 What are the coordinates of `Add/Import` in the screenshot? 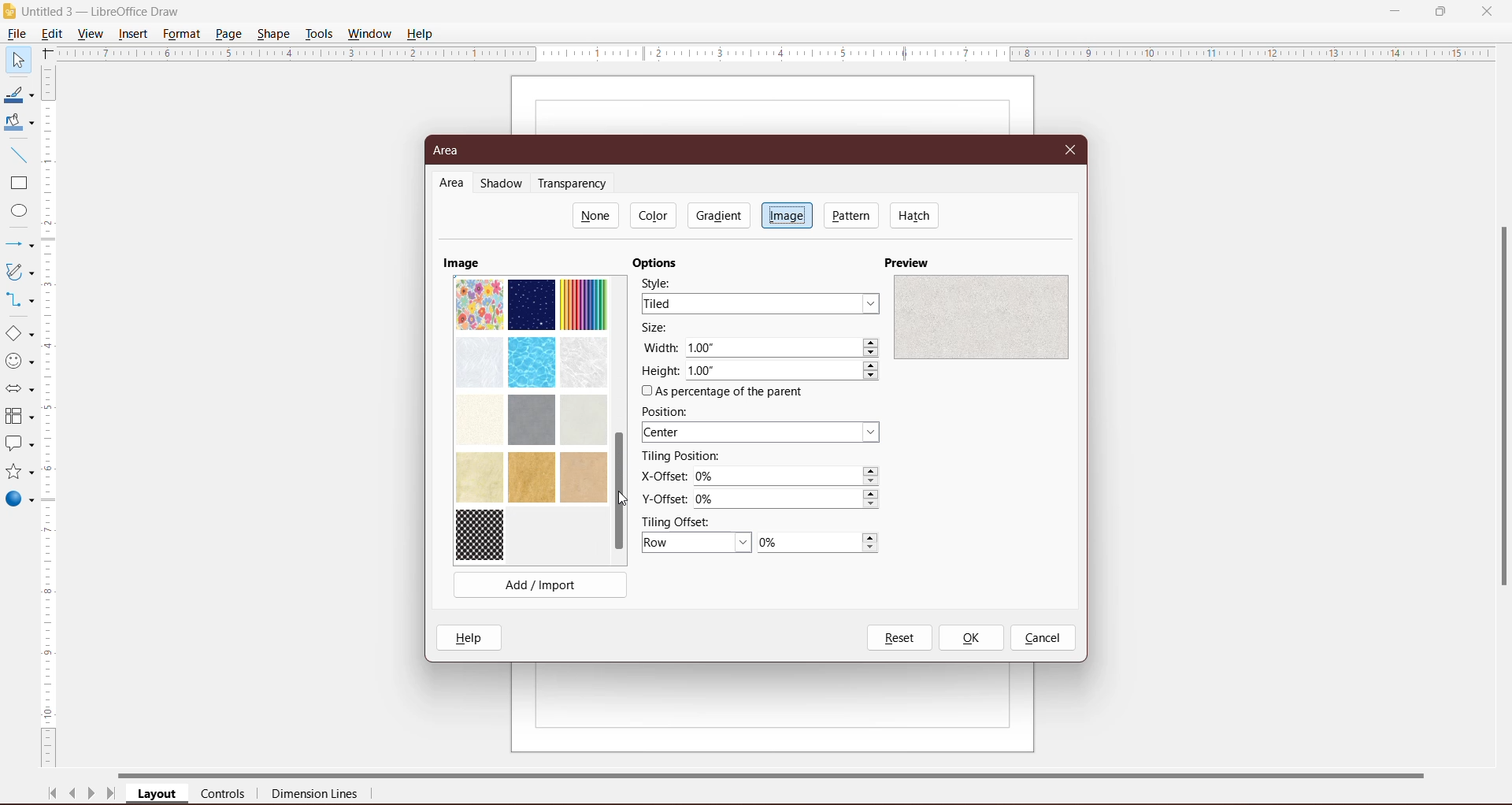 It's located at (541, 584).